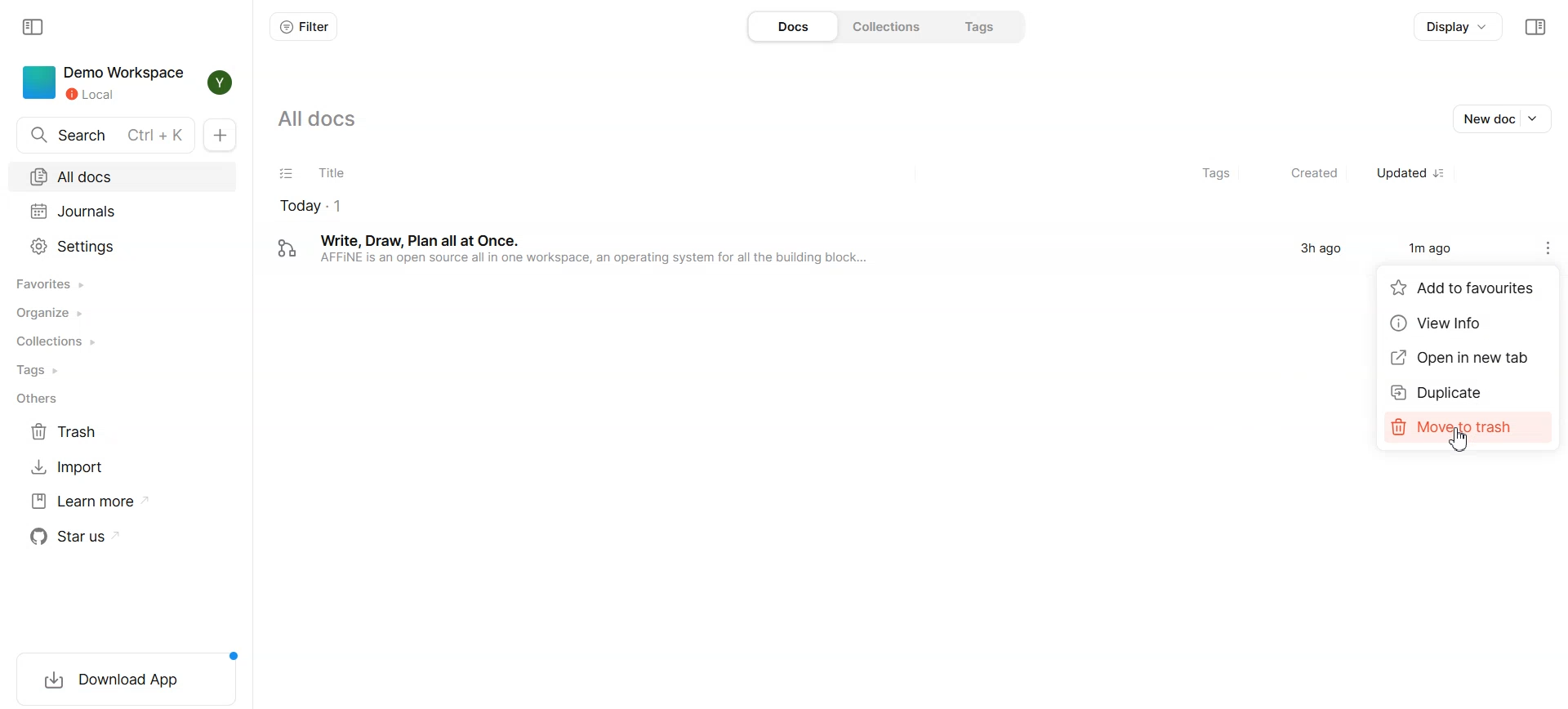 The height and width of the screenshot is (709, 1568). I want to click on View Info, so click(1469, 323).